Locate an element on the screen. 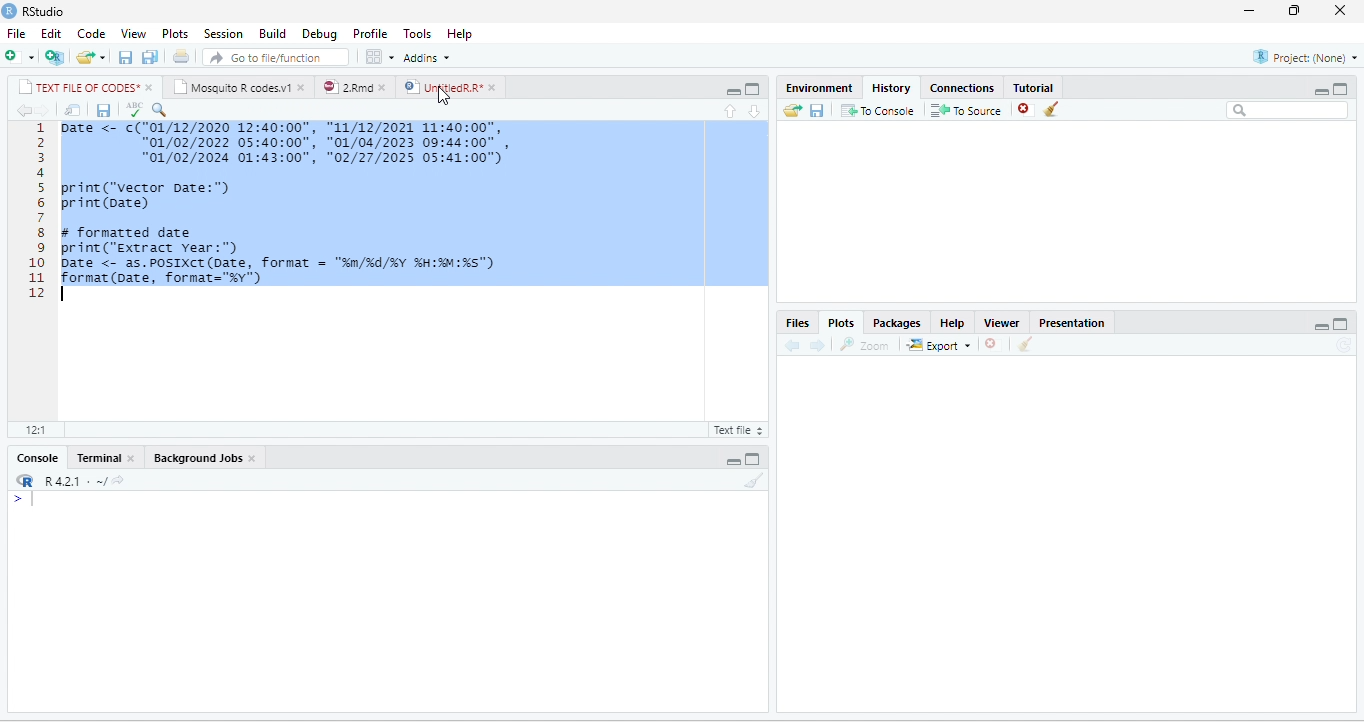  12:1 is located at coordinates (35, 430).